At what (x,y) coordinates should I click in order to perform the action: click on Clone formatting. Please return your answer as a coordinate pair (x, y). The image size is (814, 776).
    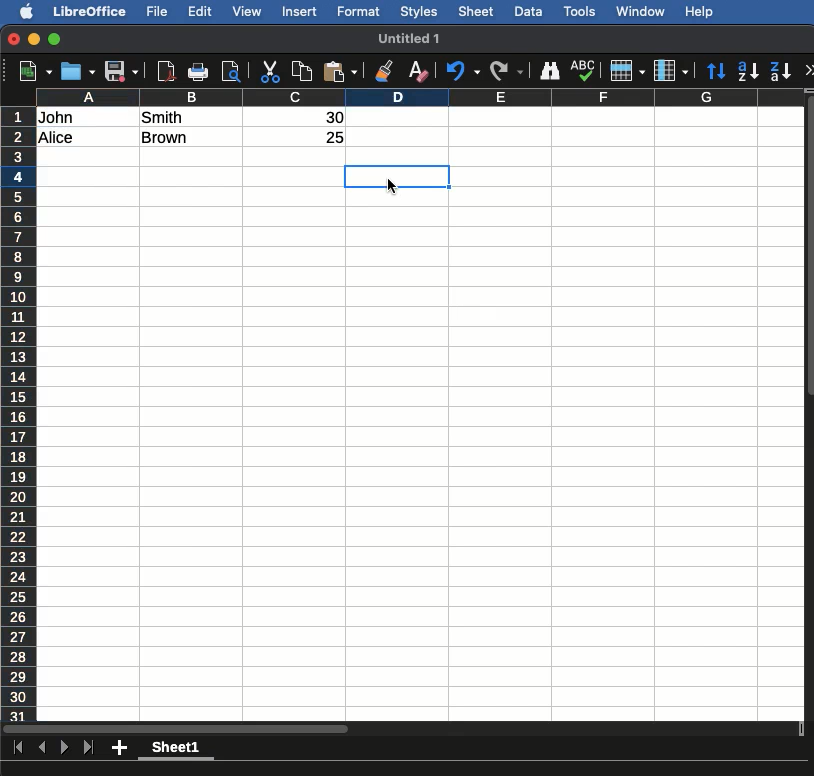
    Looking at the image, I should click on (385, 73).